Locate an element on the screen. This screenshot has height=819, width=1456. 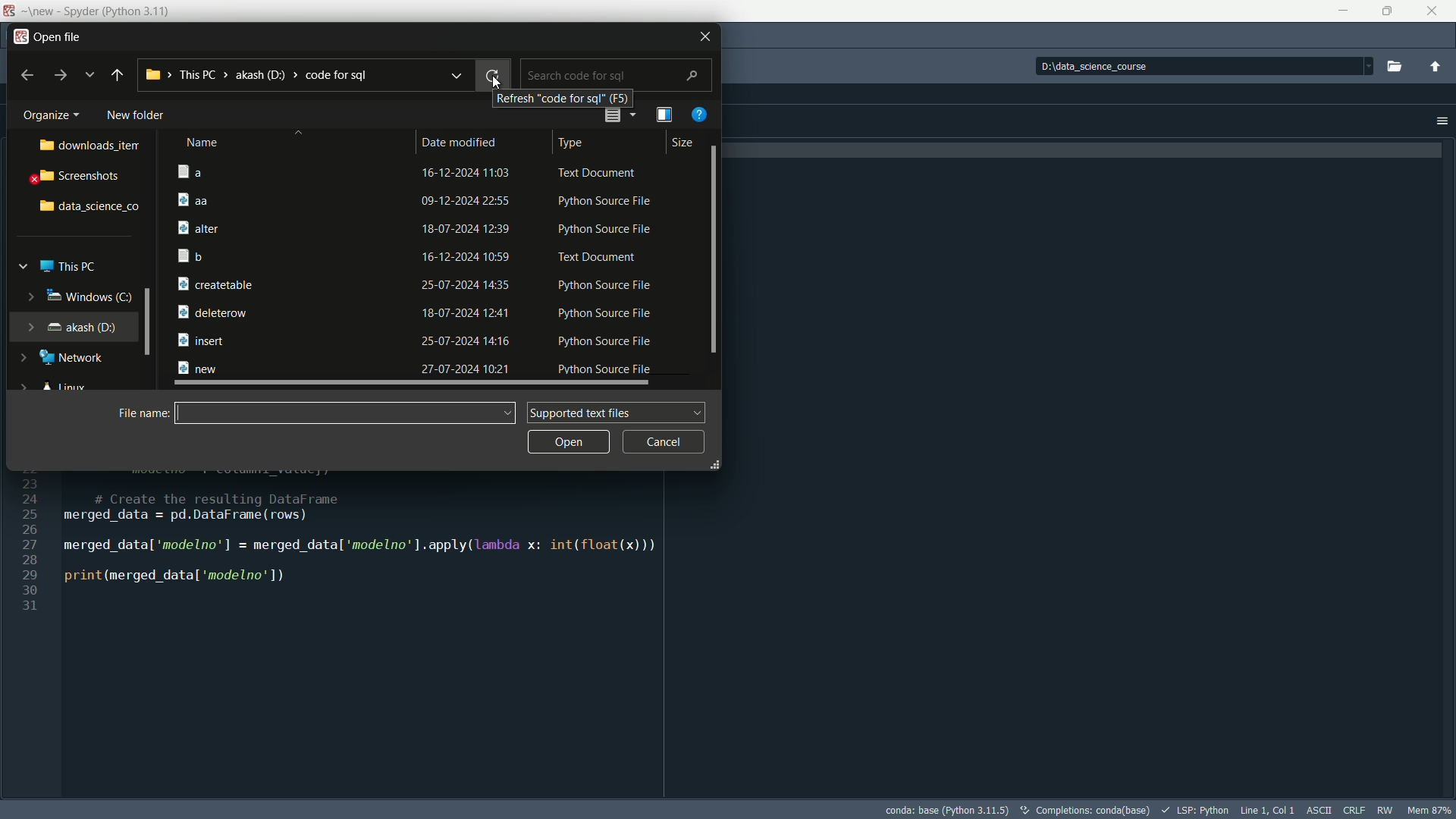
back is located at coordinates (25, 75).